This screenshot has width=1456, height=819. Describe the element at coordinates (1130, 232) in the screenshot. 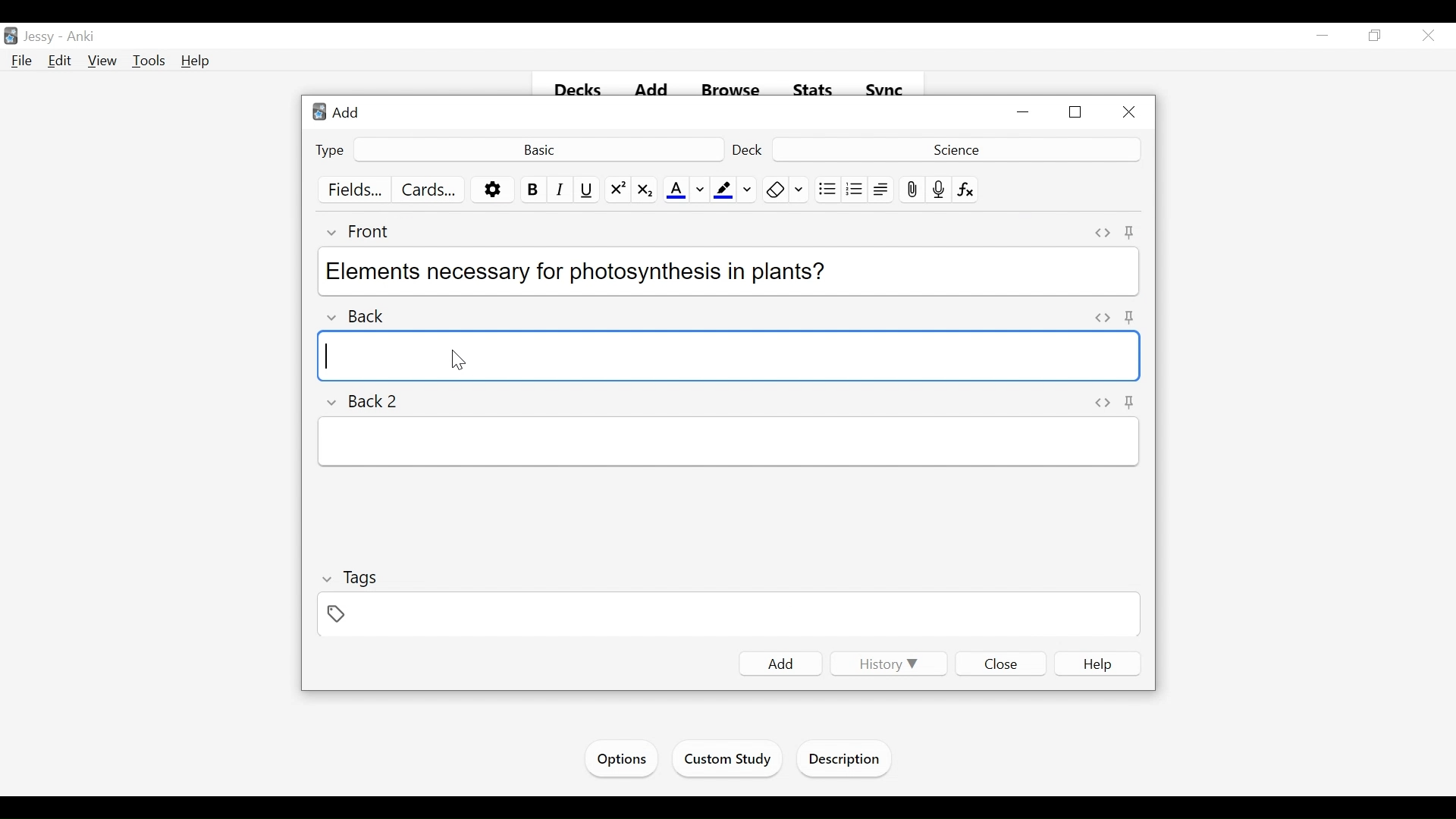

I see `Toggle Sticky` at that location.